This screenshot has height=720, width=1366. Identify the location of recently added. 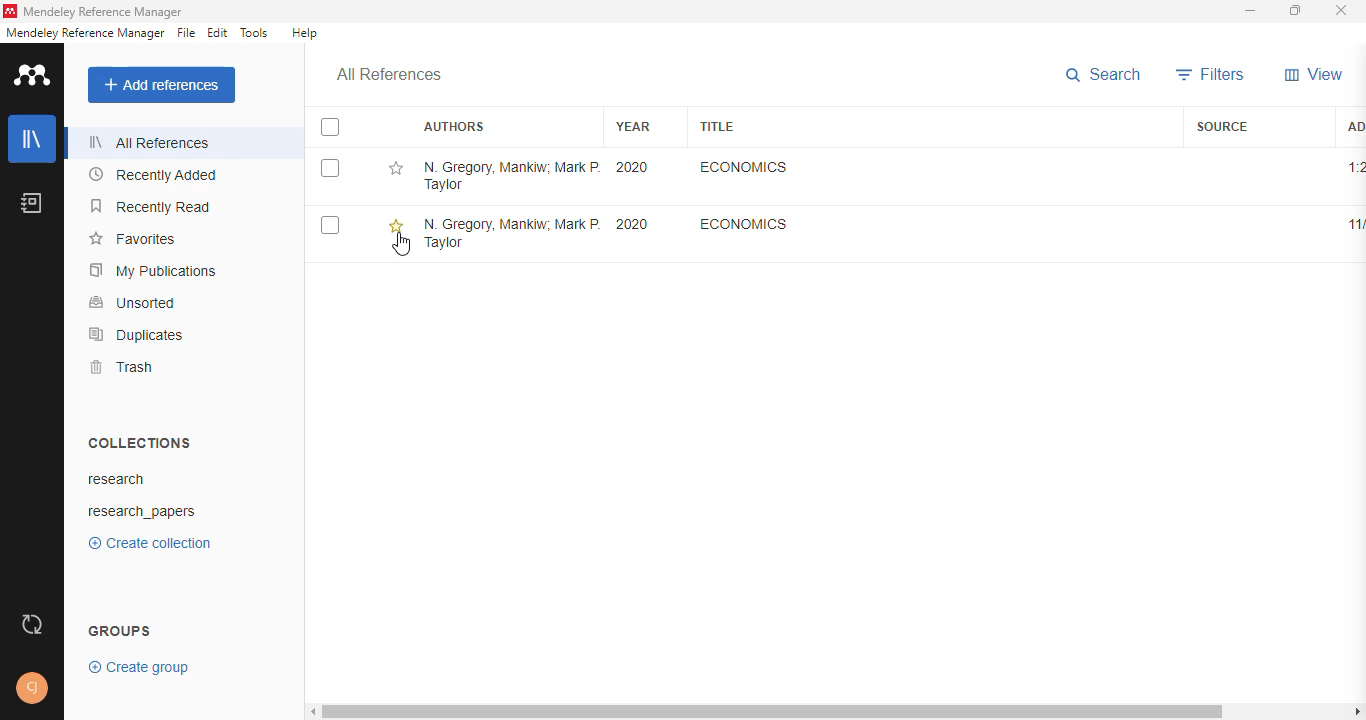
(153, 175).